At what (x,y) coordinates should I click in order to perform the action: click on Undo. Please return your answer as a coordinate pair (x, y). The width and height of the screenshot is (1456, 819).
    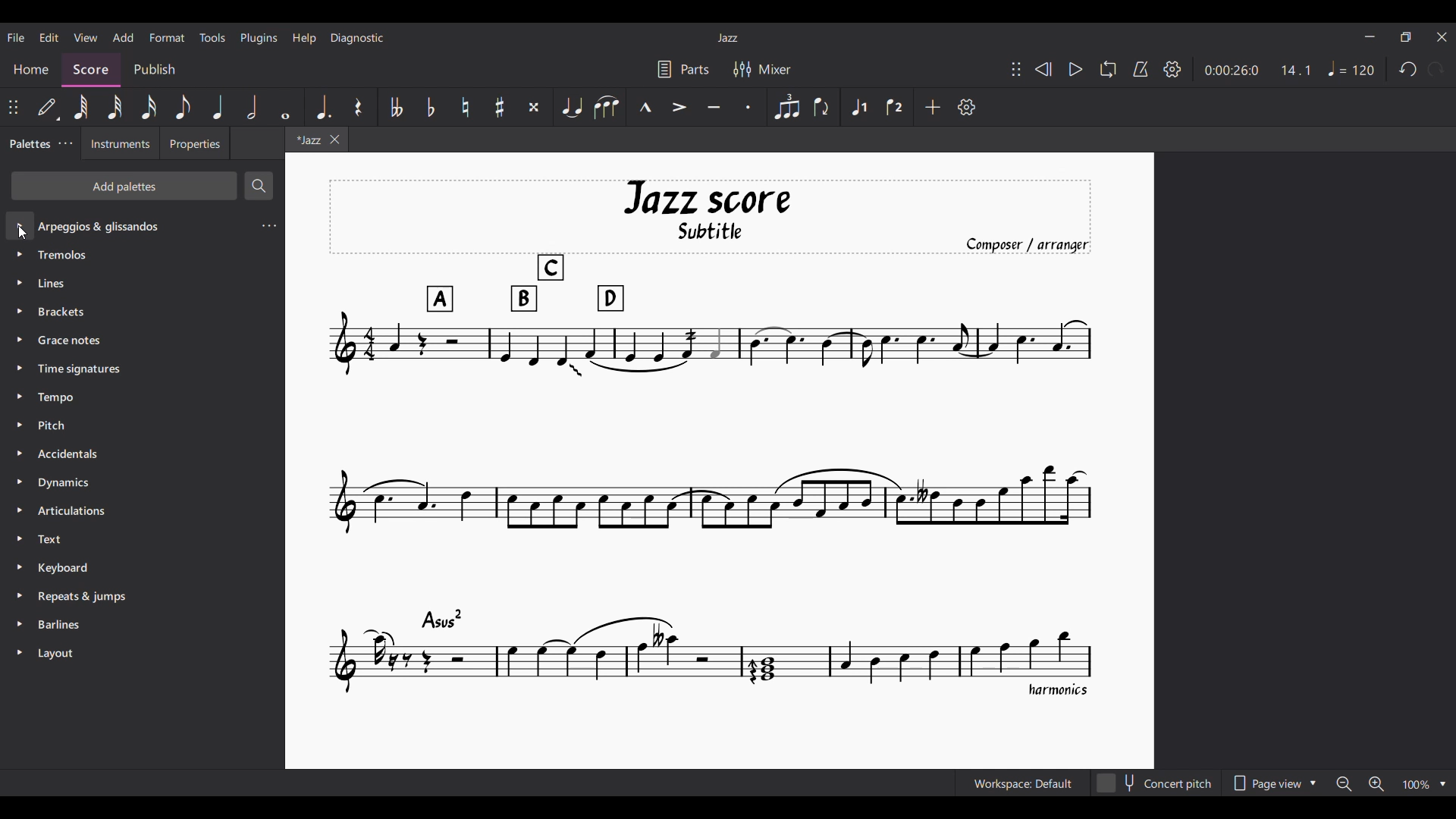
    Looking at the image, I should click on (1408, 69).